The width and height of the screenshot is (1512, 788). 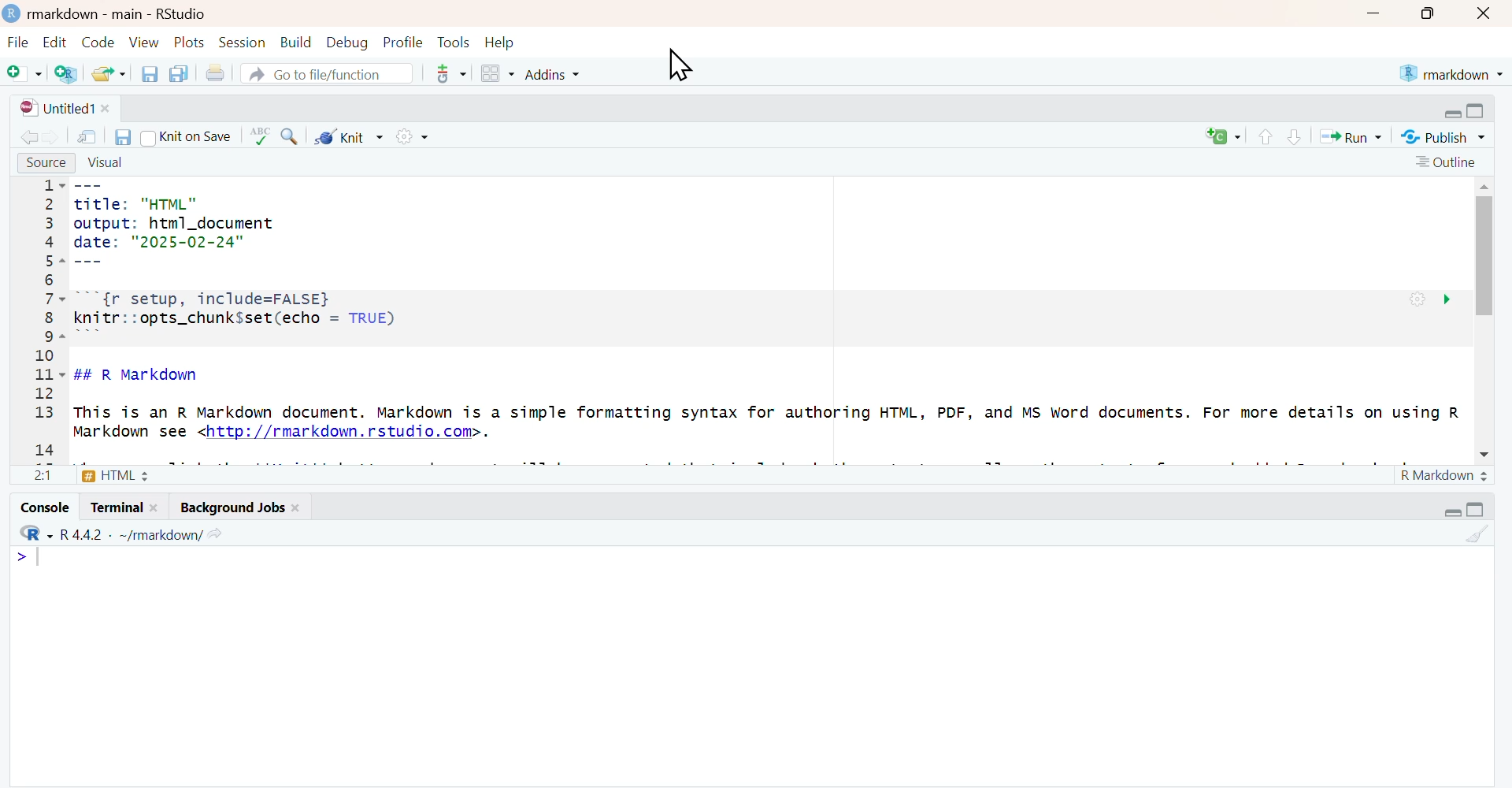 What do you see at coordinates (50, 319) in the screenshot?
I see `Line numbers` at bounding box center [50, 319].